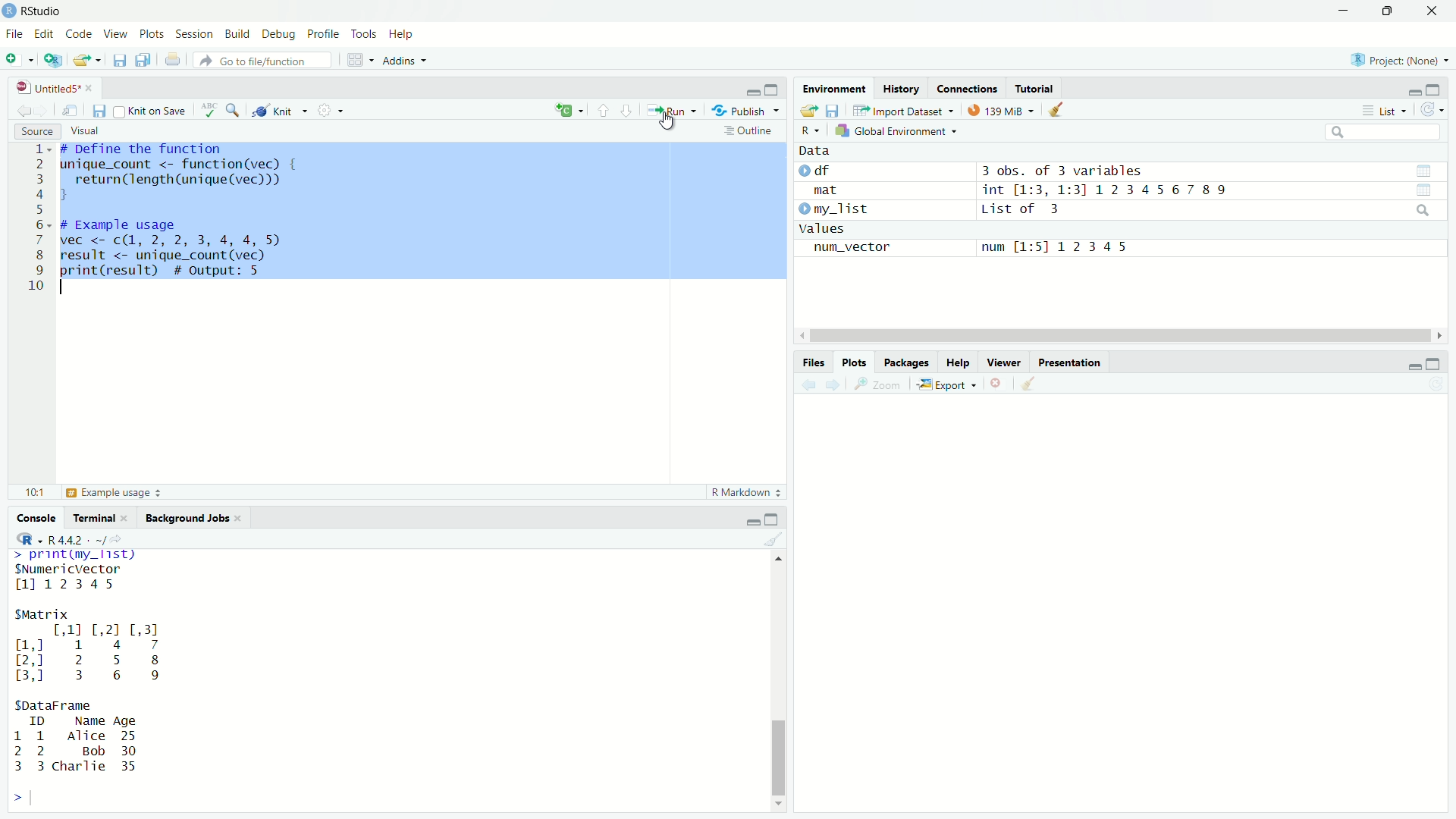 The height and width of the screenshot is (819, 1456). I want to click on show in new window, so click(70, 111).